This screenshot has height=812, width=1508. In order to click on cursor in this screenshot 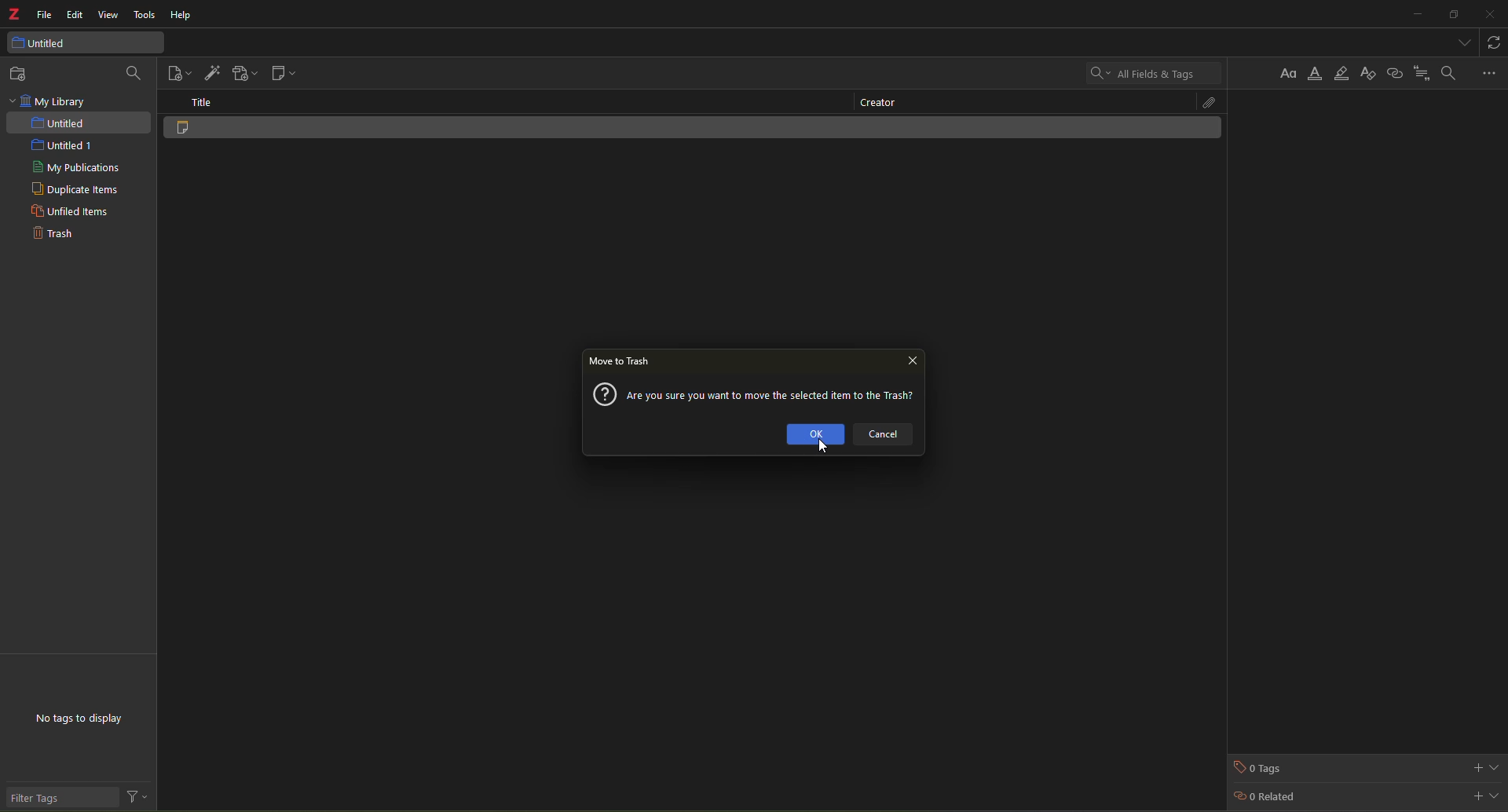, I will do `click(818, 448)`.